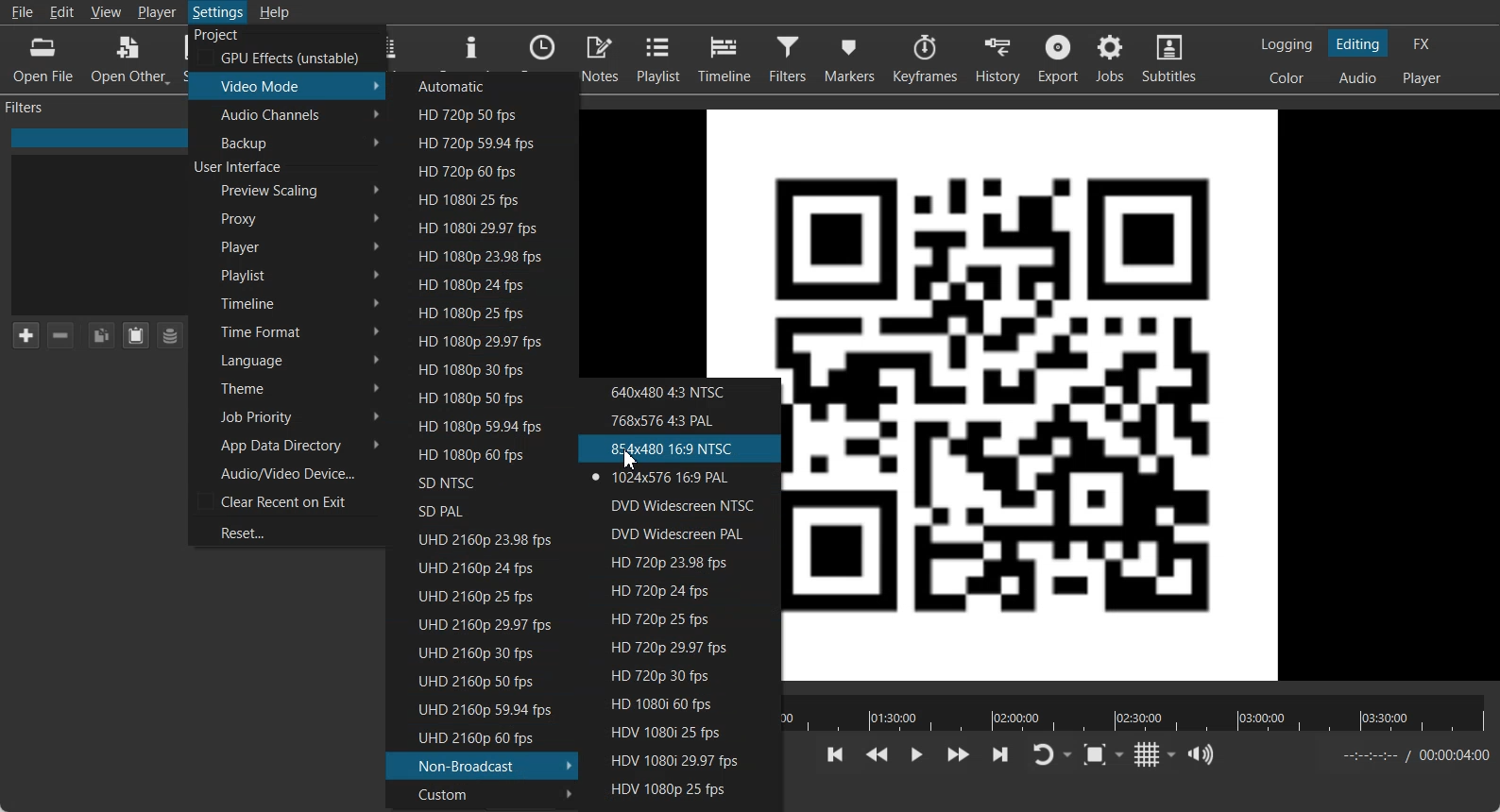 The width and height of the screenshot is (1500, 812). Describe the element at coordinates (286, 417) in the screenshot. I see `Job Priority` at that location.